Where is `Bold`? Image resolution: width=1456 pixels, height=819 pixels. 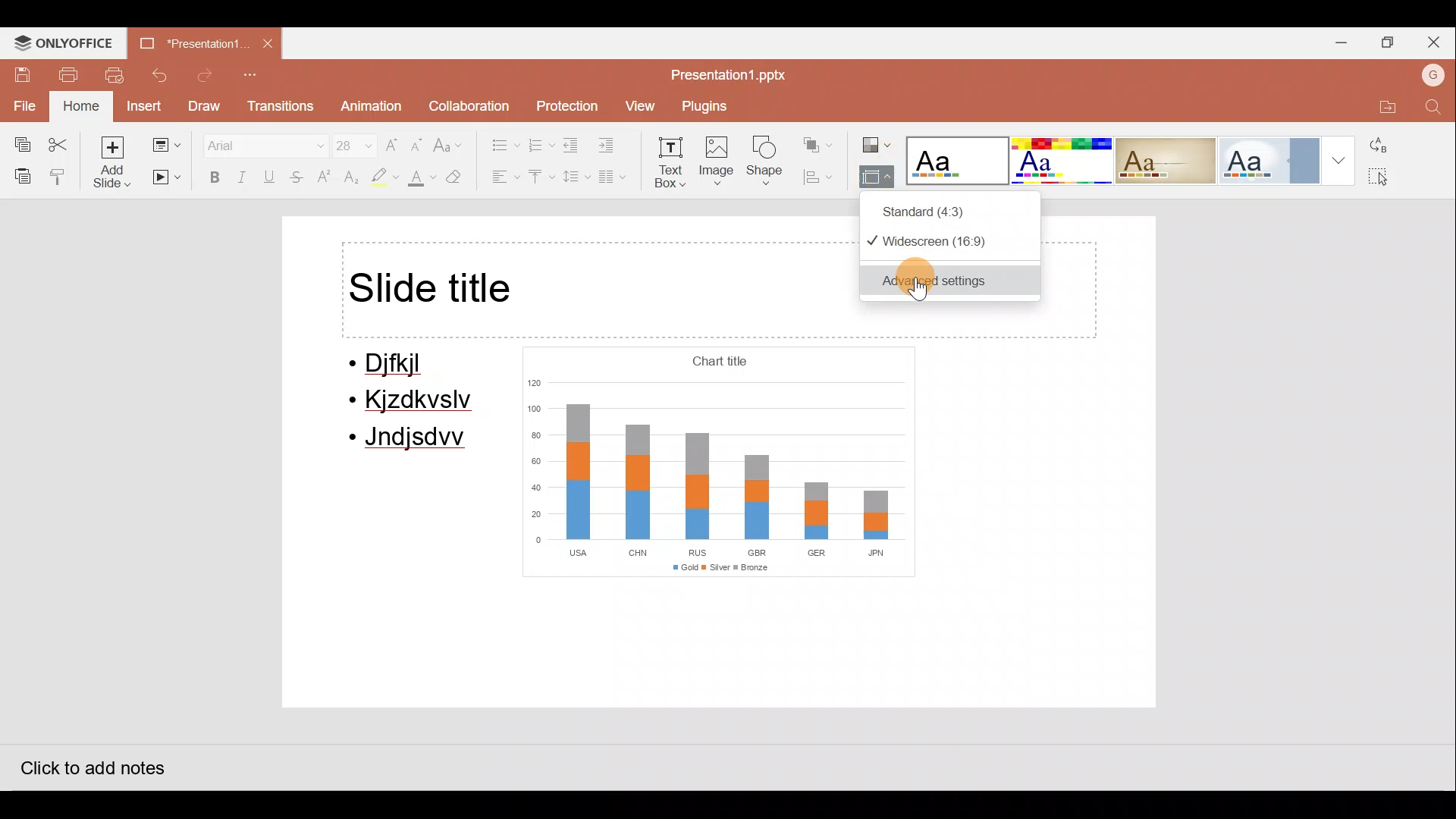
Bold is located at coordinates (211, 177).